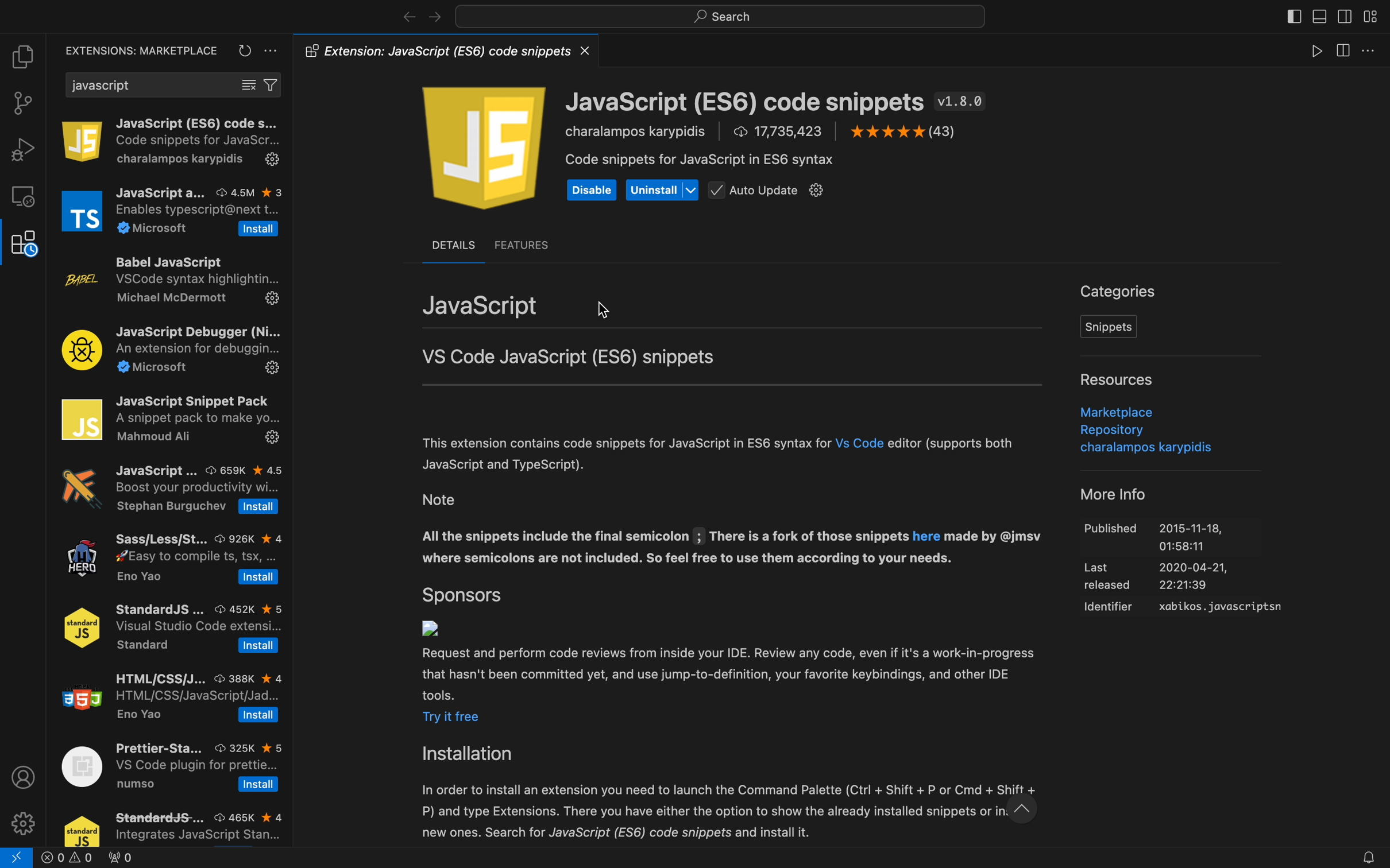  Describe the element at coordinates (488, 307) in the screenshot. I see `JavaScript` at that location.